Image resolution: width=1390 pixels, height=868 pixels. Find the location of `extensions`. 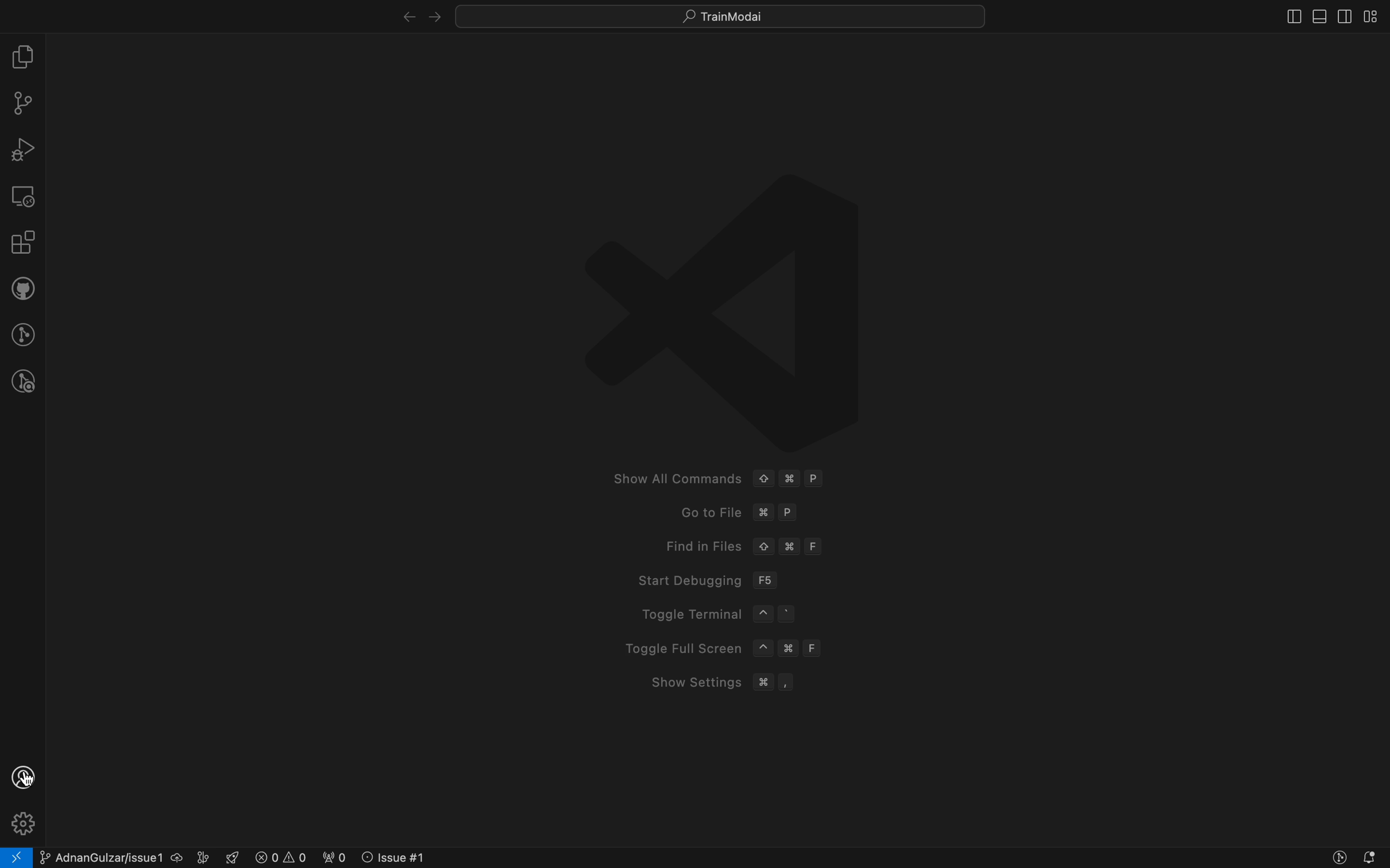

extensions is located at coordinates (21, 243).